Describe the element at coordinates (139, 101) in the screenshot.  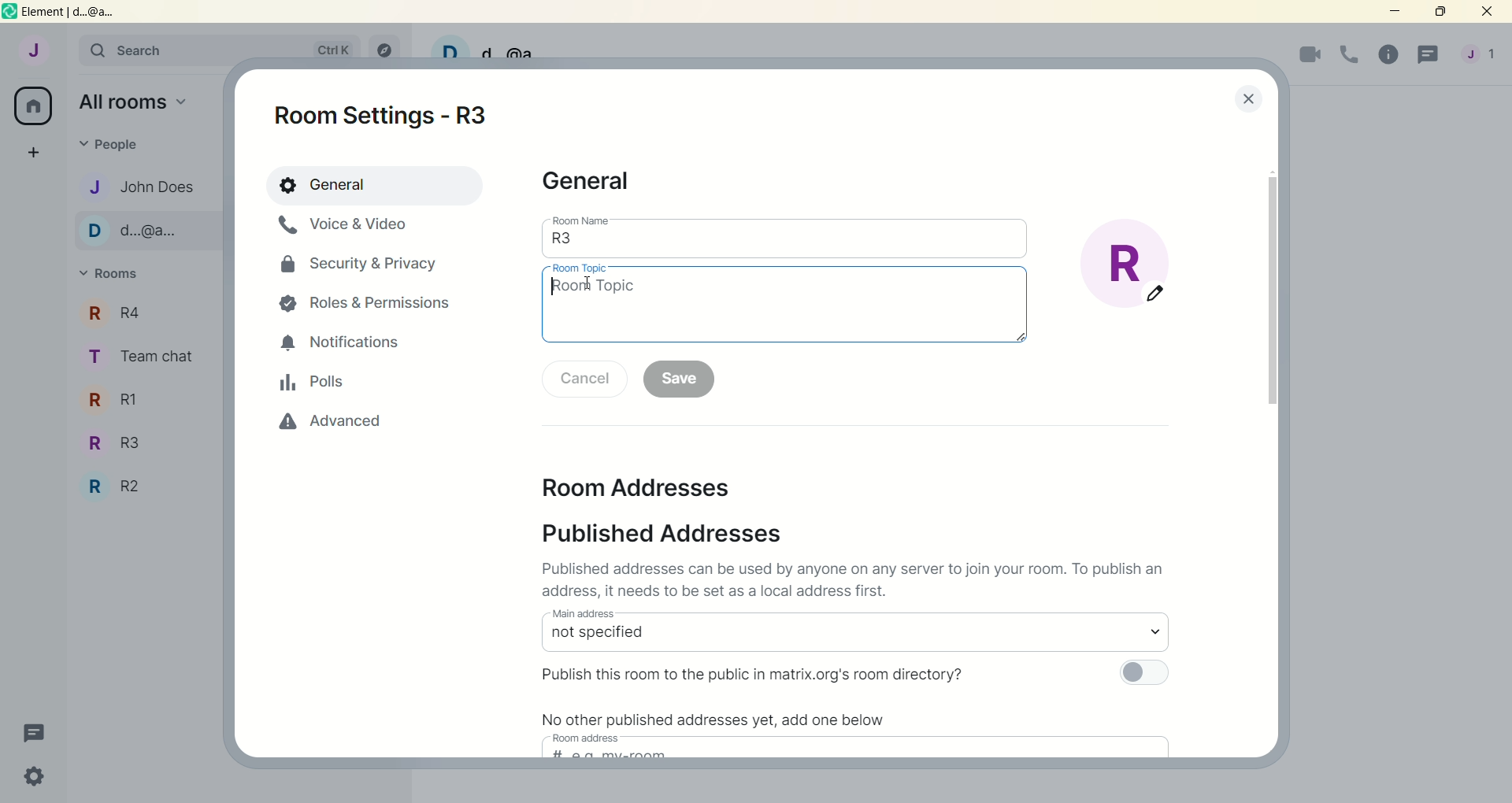
I see `all rooms` at that location.